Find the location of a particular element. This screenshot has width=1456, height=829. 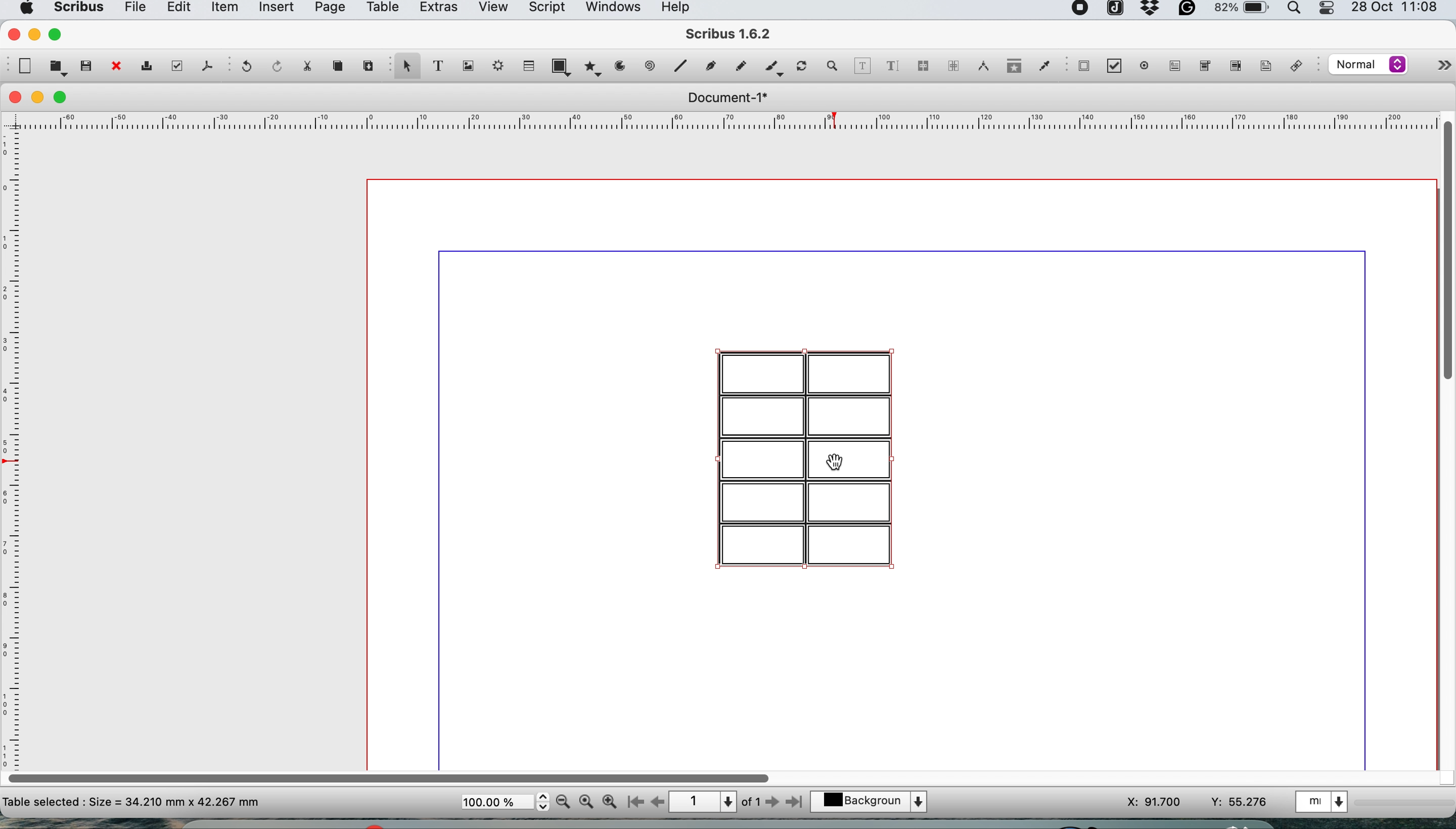

page is located at coordinates (328, 10).